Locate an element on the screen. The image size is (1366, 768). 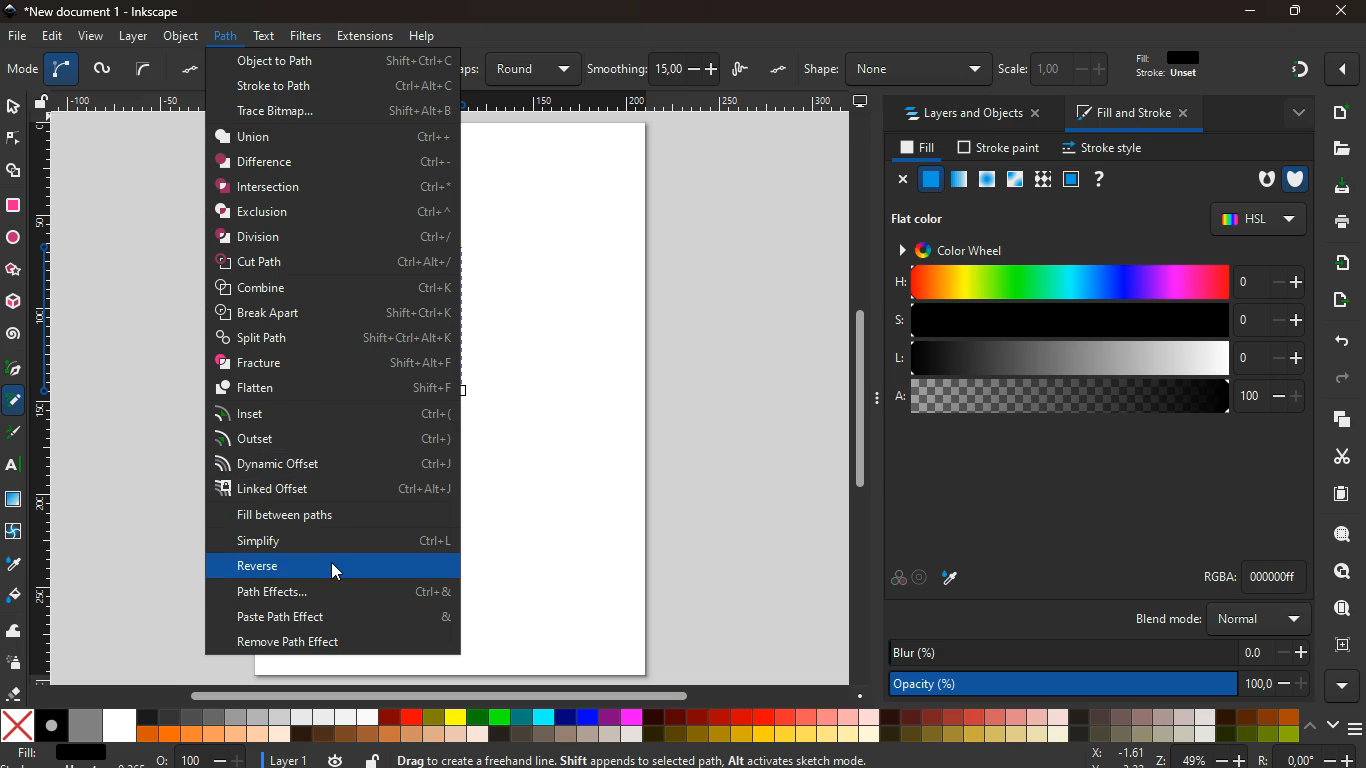
glass is located at coordinates (958, 181).